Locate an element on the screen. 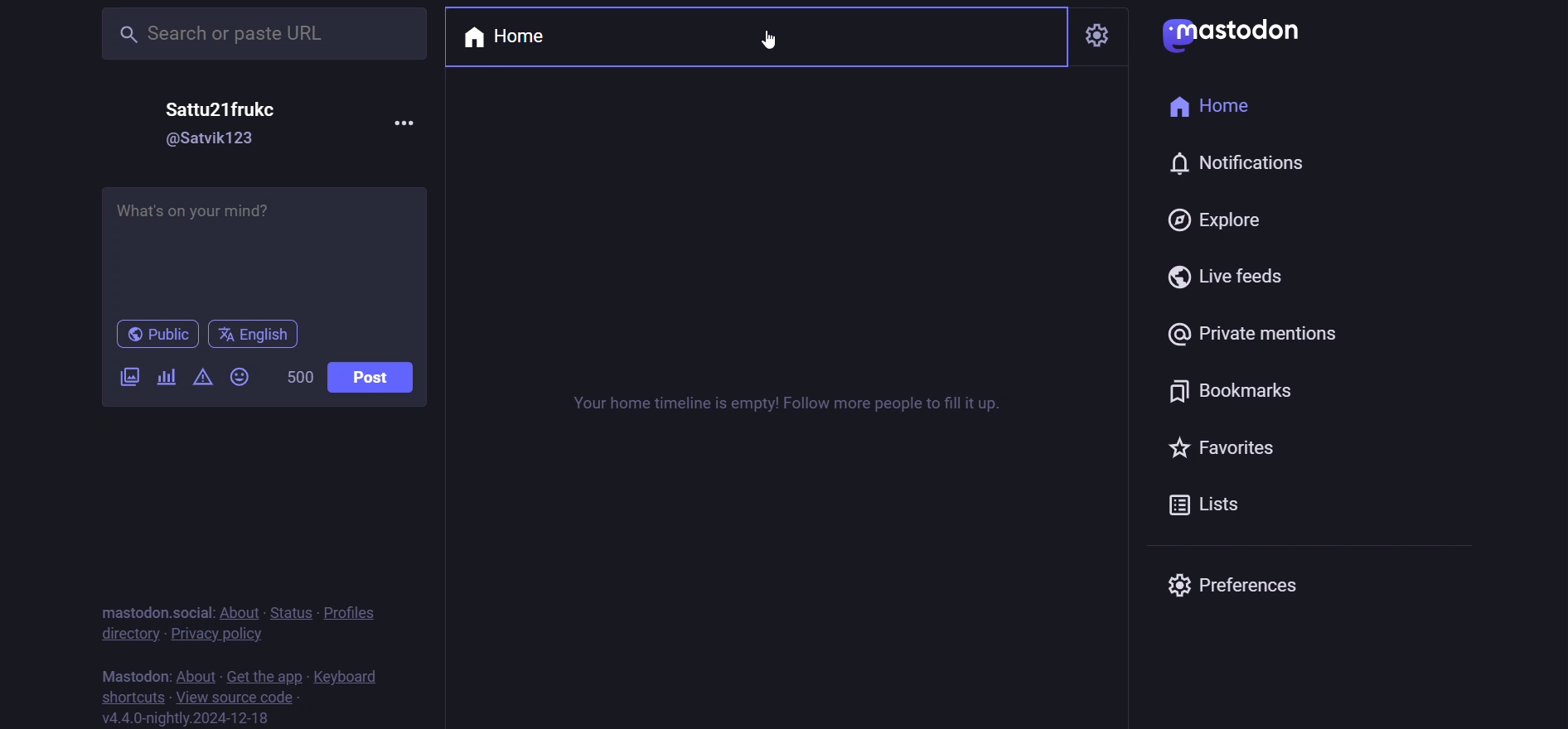  search is located at coordinates (259, 33).